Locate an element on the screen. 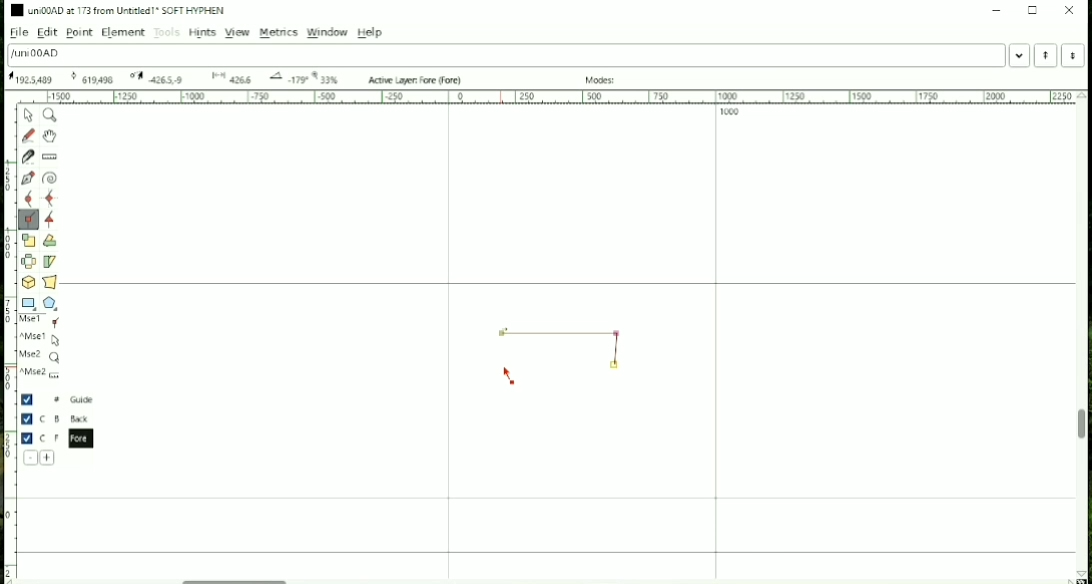 Image resolution: width=1092 pixels, height=584 pixels. Polygon or star is located at coordinates (52, 303).